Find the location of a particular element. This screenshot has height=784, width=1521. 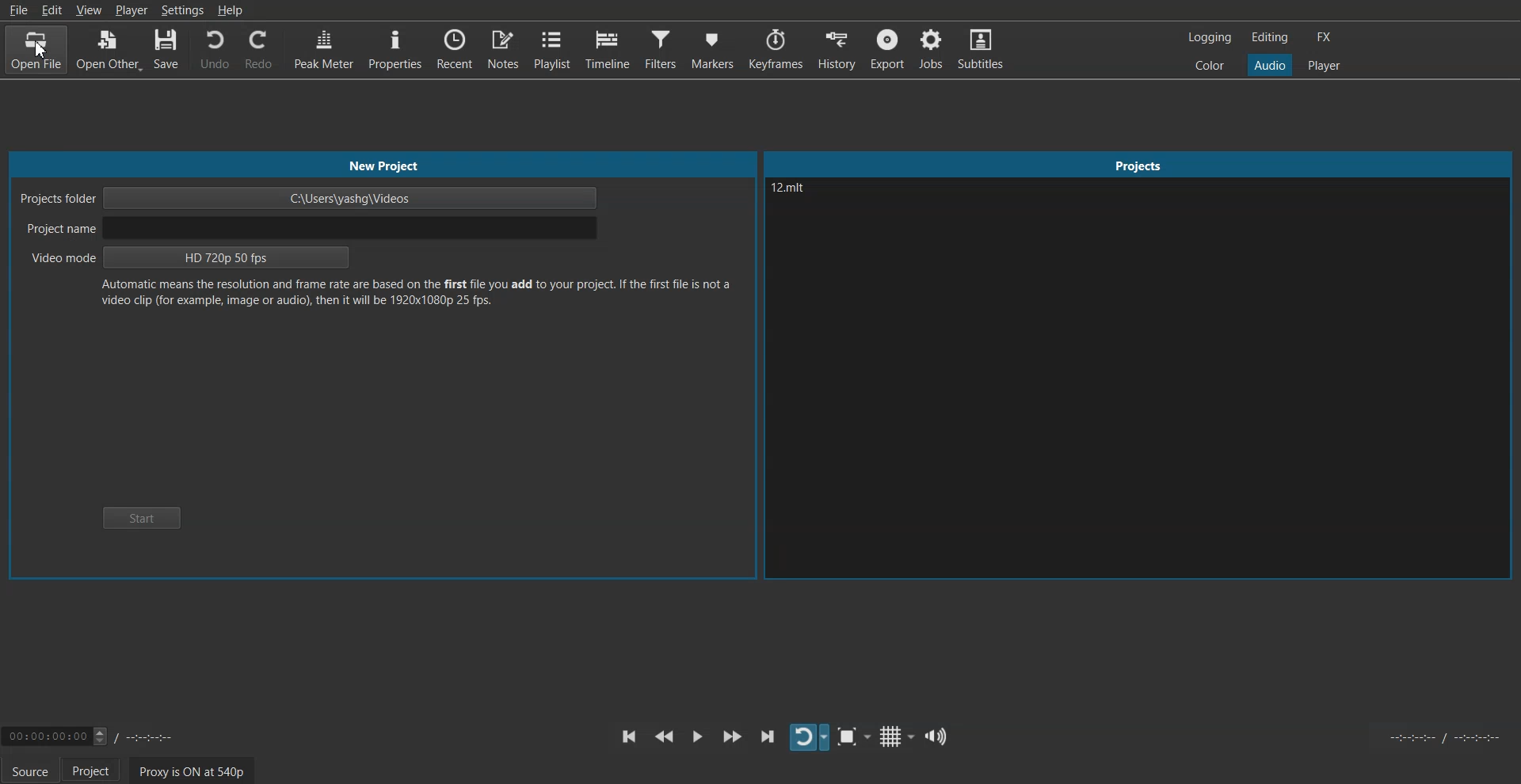

Playlist is located at coordinates (552, 49).